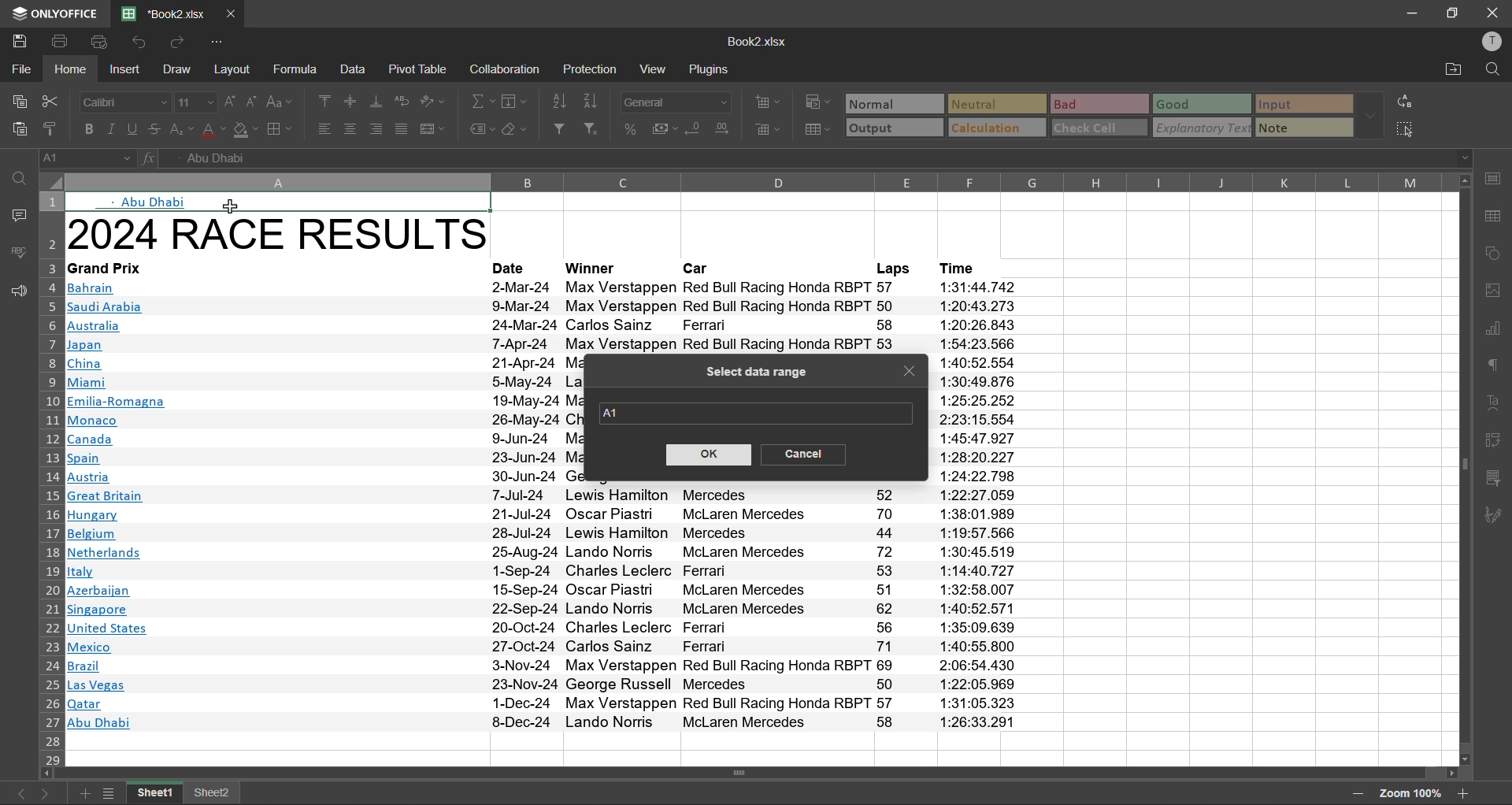 The image size is (1512, 805). Describe the element at coordinates (710, 72) in the screenshot. I see `plugins` at that location.